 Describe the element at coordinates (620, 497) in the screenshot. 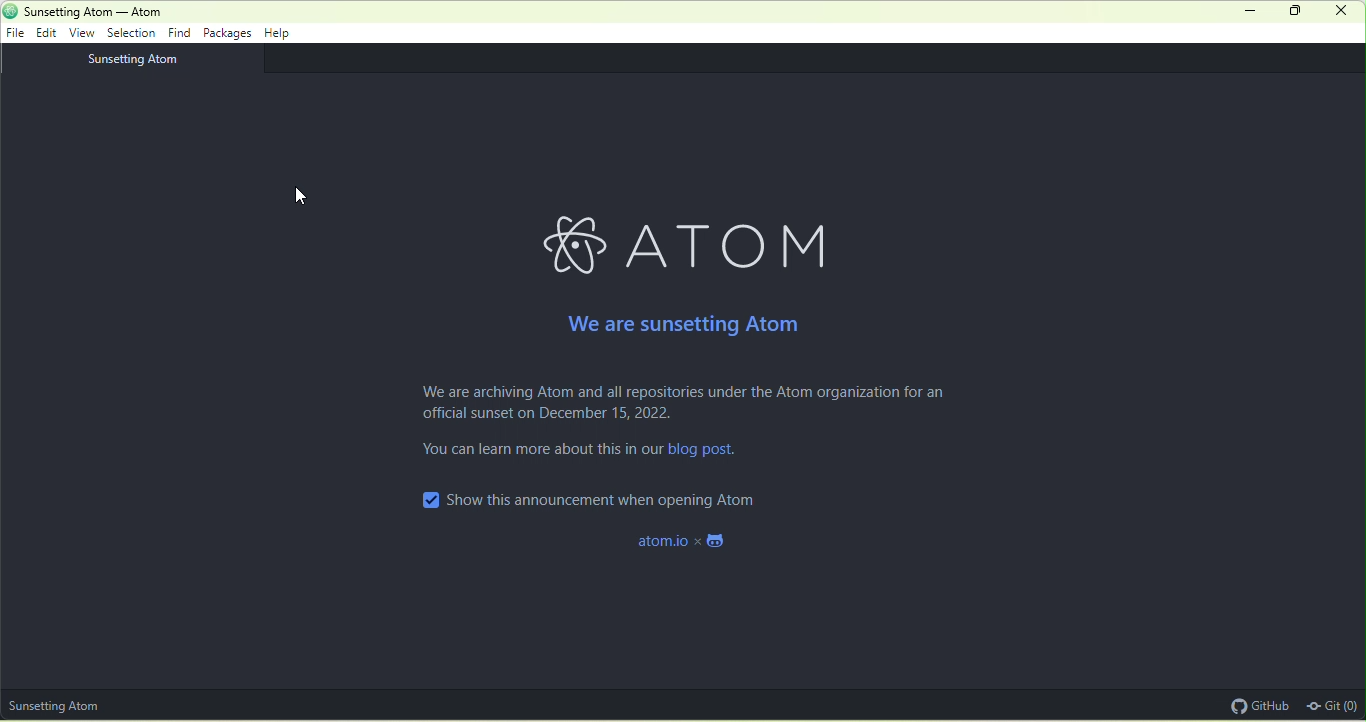

I see `show this announcement when opening atom` at that location.